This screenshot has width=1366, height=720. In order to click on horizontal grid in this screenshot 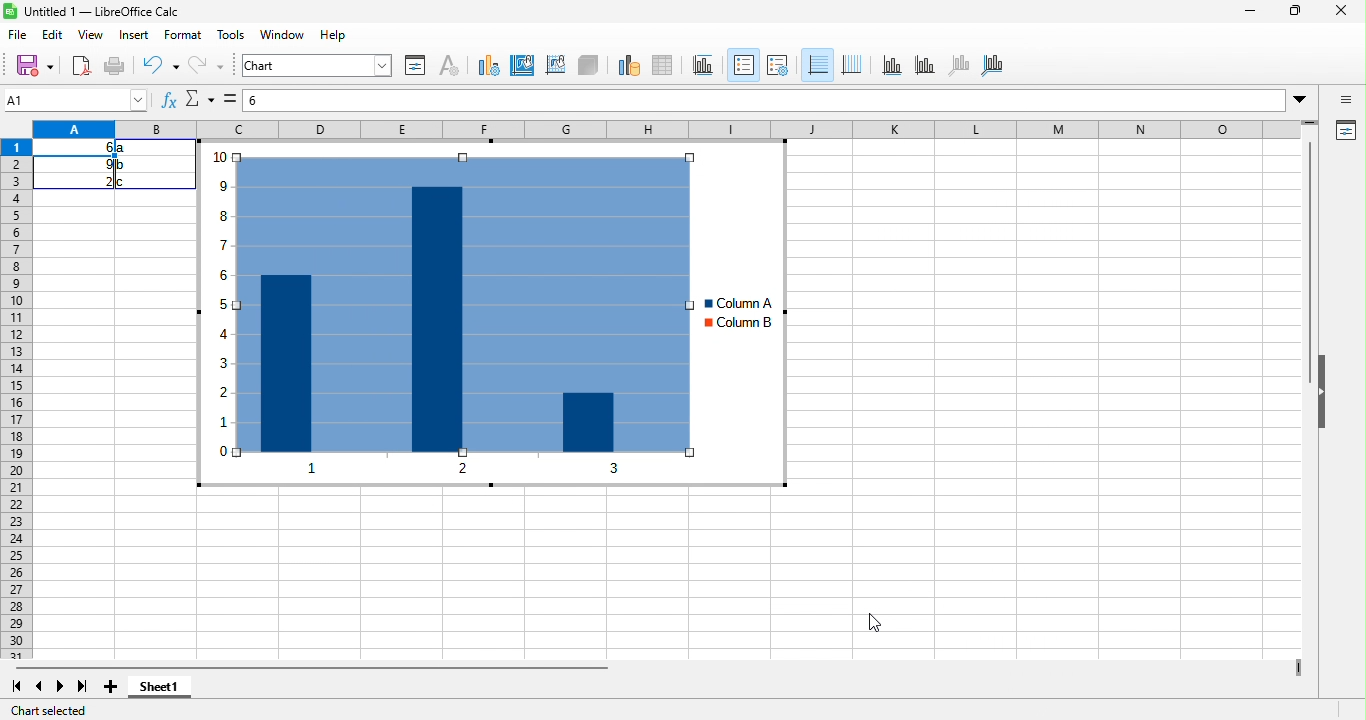, I will do `click(818, 62)`.